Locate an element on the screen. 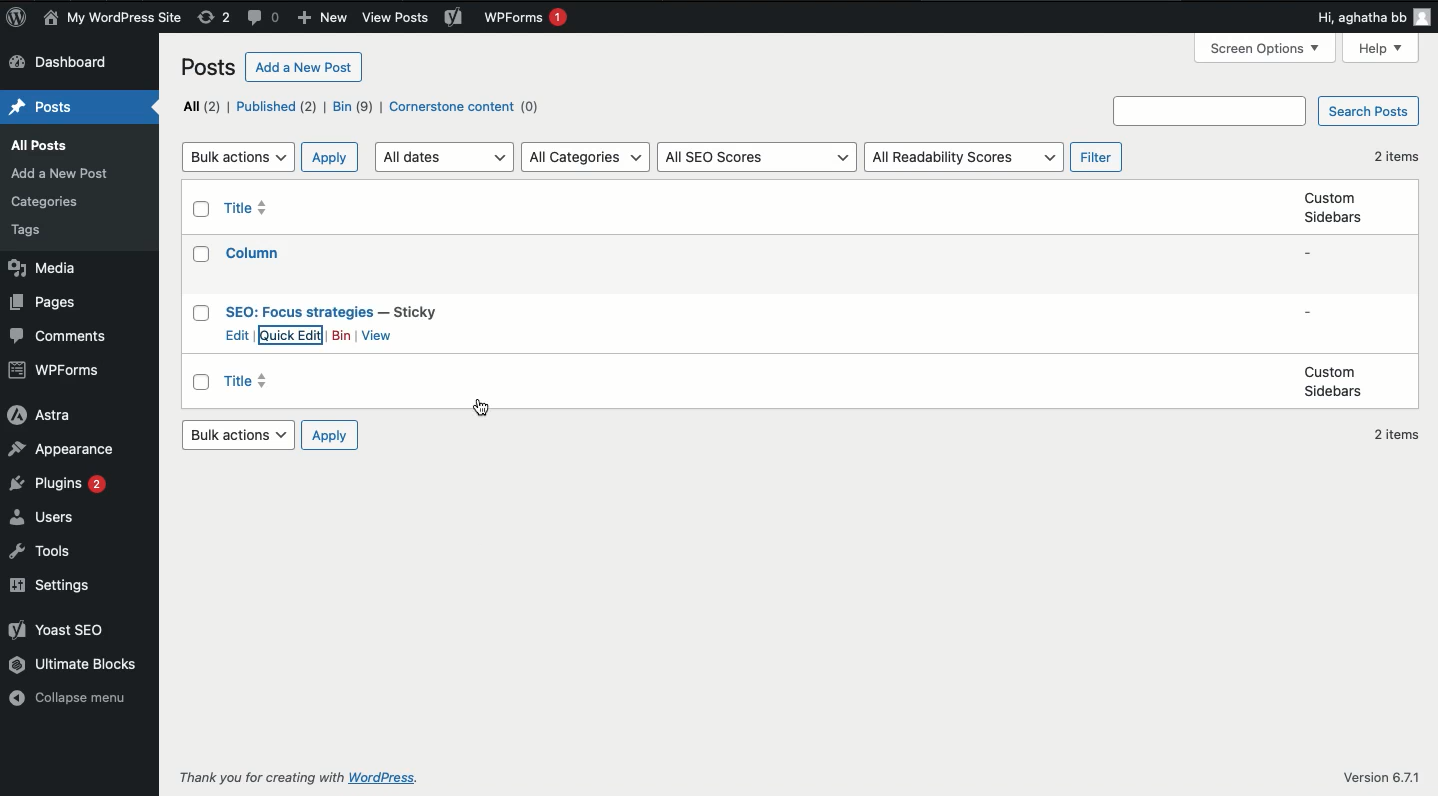 This screenshot has width=1438, height=796. Yoast is located at coordinates (453, 16).